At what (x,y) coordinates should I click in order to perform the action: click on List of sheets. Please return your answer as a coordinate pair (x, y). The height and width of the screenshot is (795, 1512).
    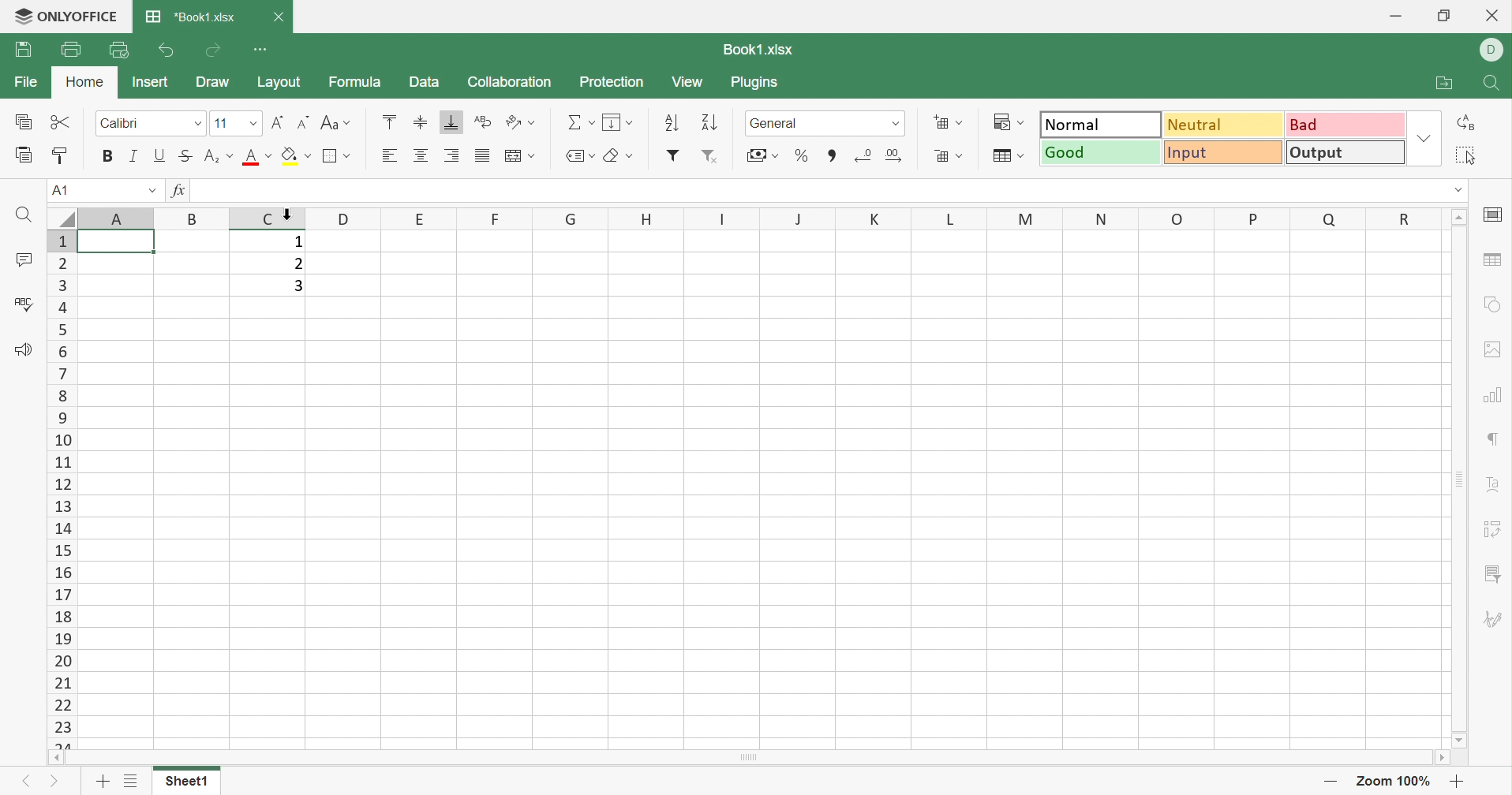
    Looking at the image, I should click on (132, 782).